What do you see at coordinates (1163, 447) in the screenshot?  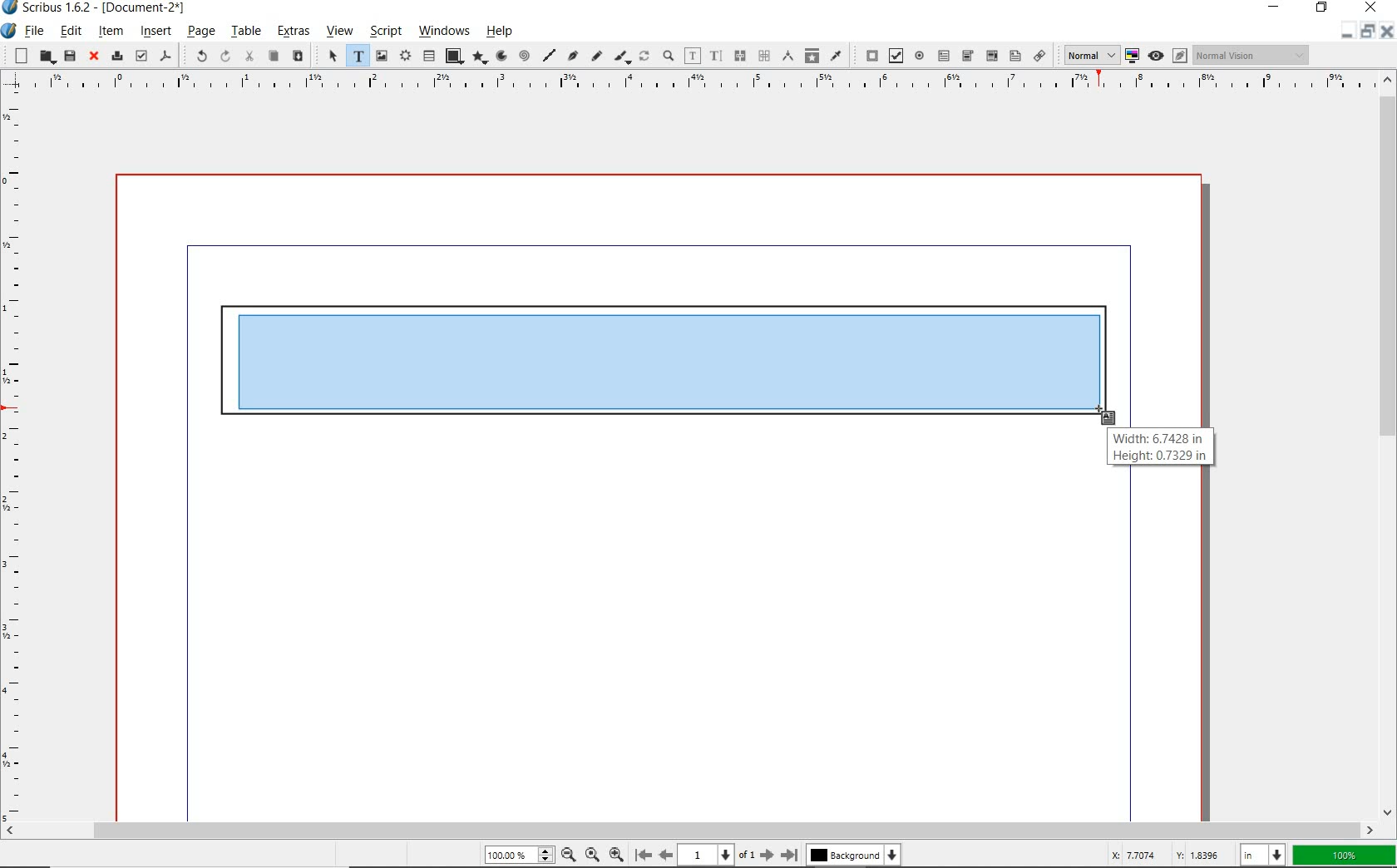 I see `Width : 6.7428 in Height : 0.7329 in` at bounding box center [1163, 447].